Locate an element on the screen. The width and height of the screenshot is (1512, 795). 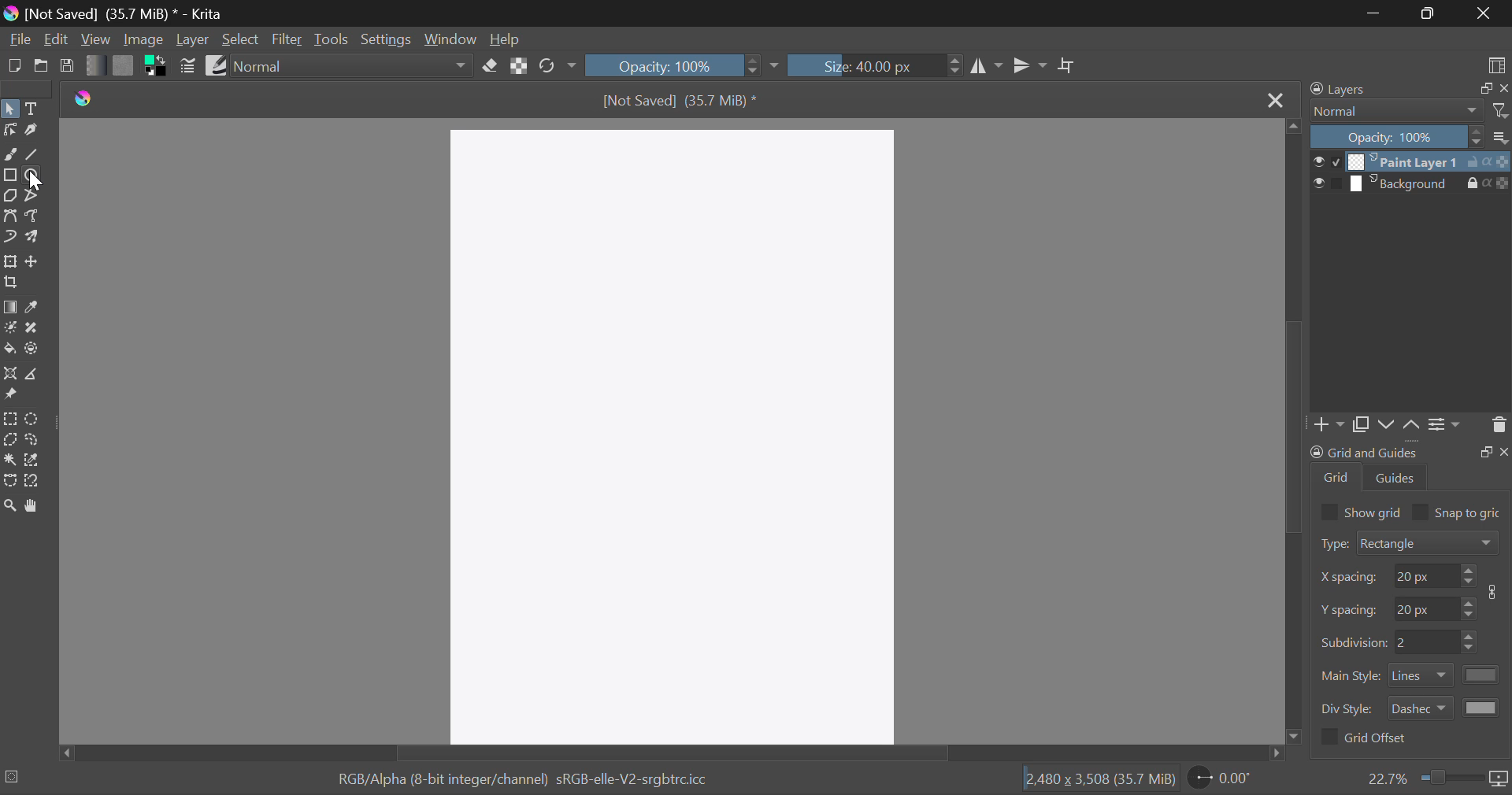
Grid Offset is located at coordinates (1367, 739).